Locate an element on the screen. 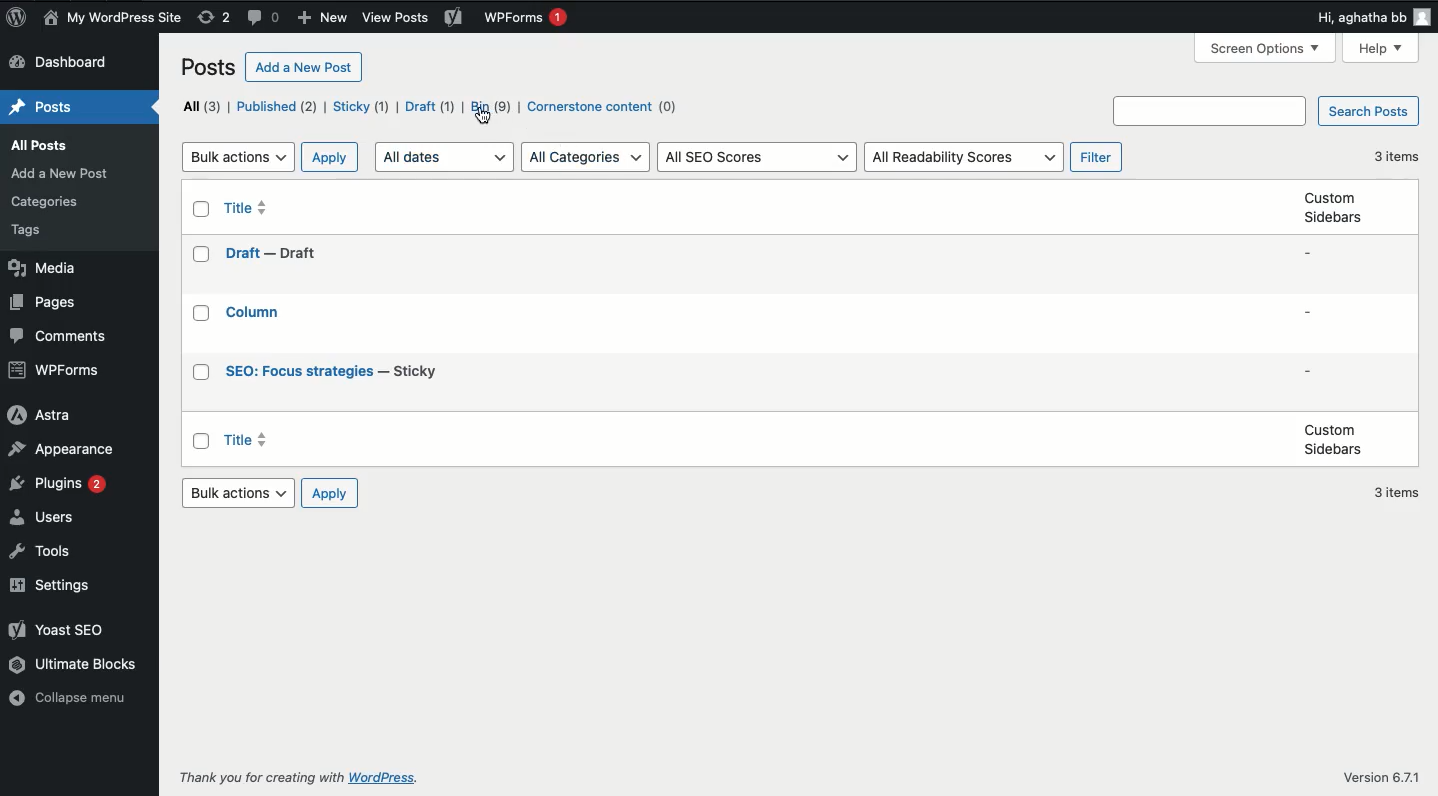 This screenshot has height=796, width=1438. Title is located at coordinates (249, 208).